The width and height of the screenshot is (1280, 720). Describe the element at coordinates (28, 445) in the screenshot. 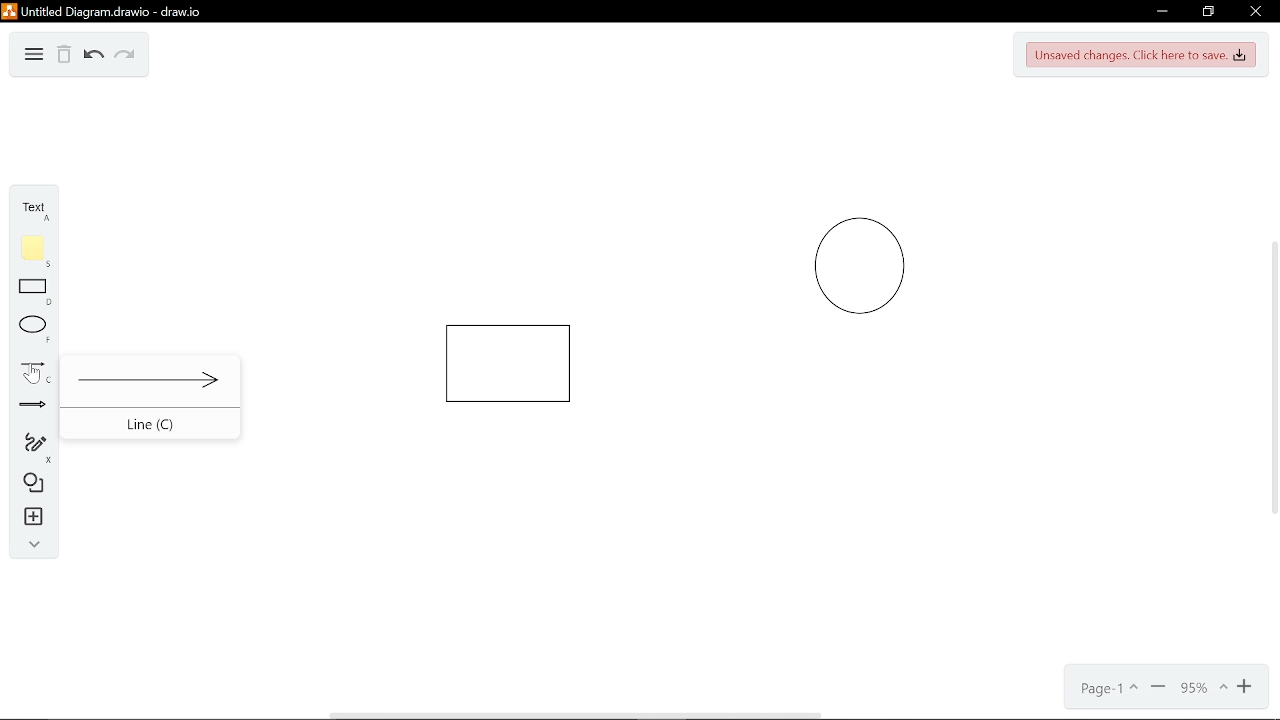

I see `Freehand` at that location.